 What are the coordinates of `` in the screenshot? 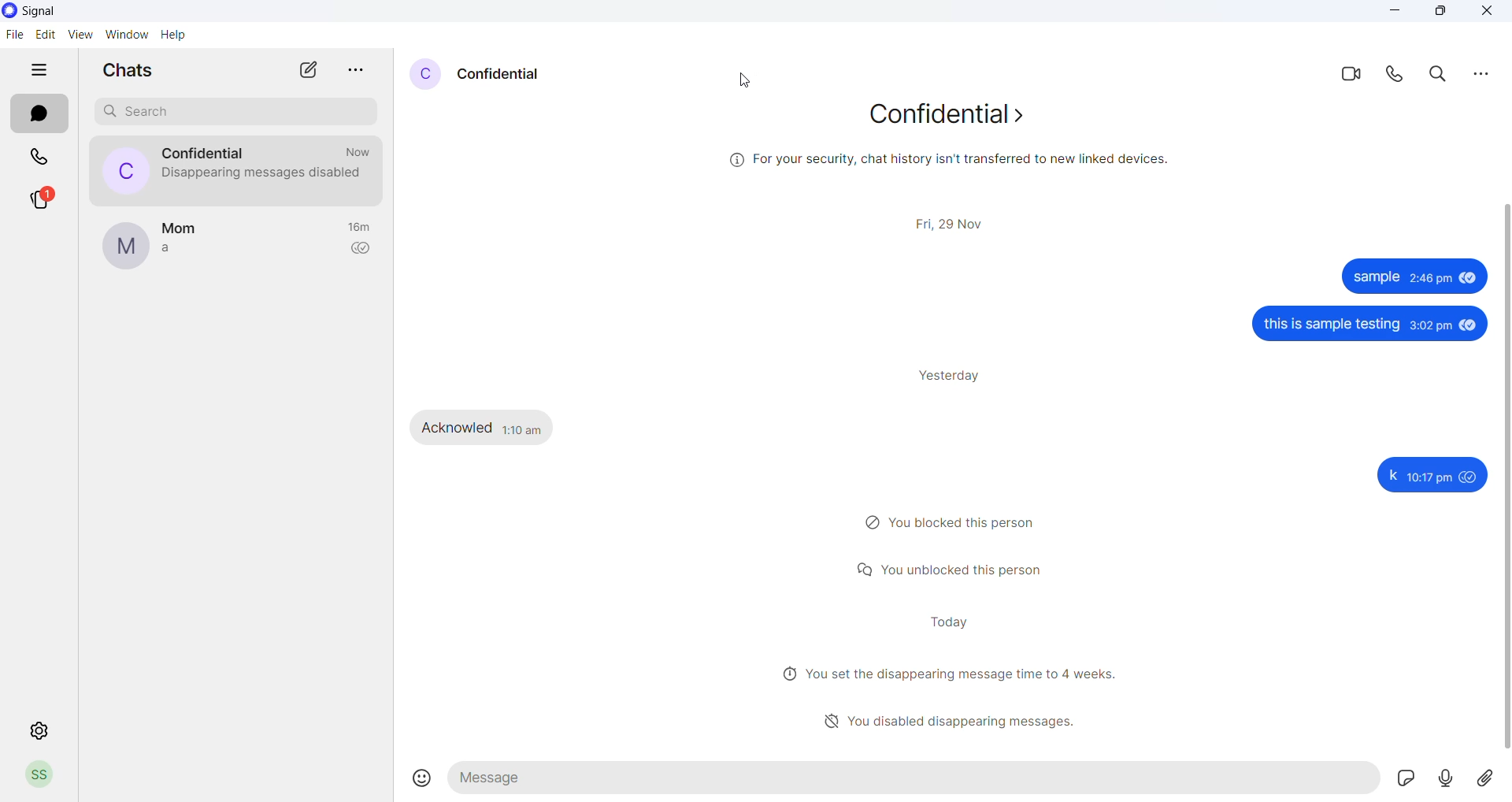 It's located at (1447, 780).